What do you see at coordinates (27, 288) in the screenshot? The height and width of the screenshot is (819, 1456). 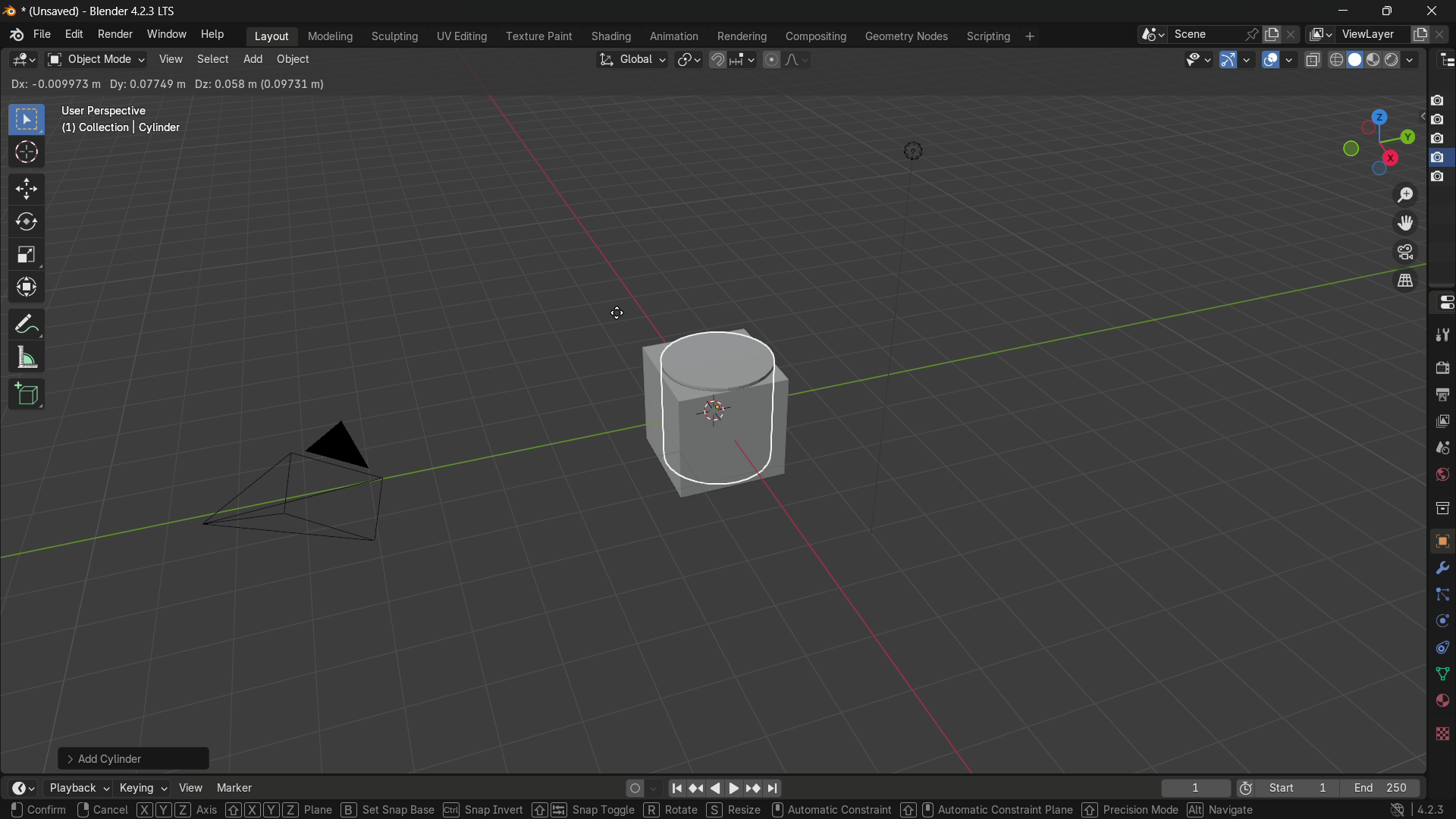 I see `transform` at bounding box center [27, 288].